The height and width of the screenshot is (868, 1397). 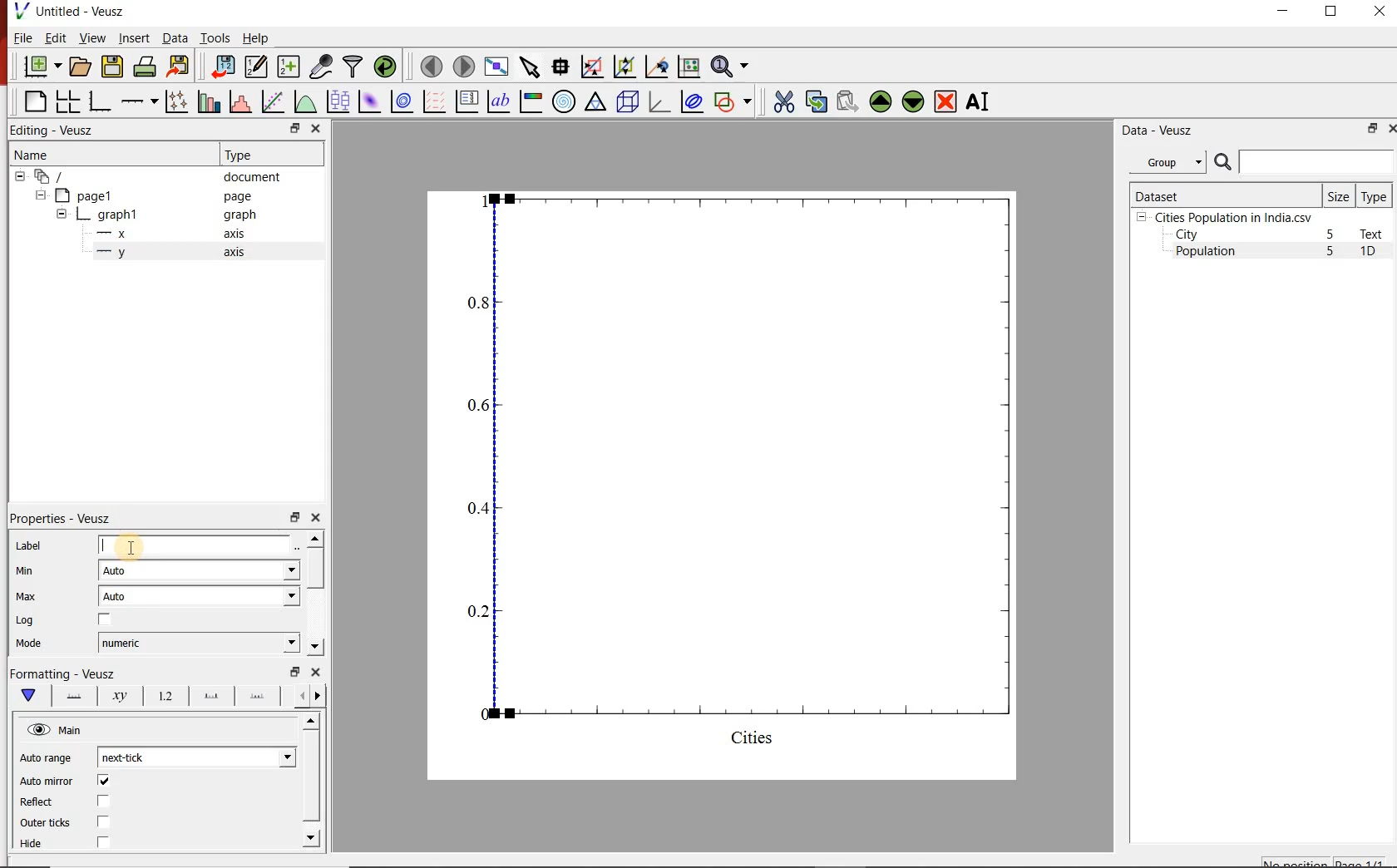 I want to click on cut the selected widget, so click(x=781, y=101).